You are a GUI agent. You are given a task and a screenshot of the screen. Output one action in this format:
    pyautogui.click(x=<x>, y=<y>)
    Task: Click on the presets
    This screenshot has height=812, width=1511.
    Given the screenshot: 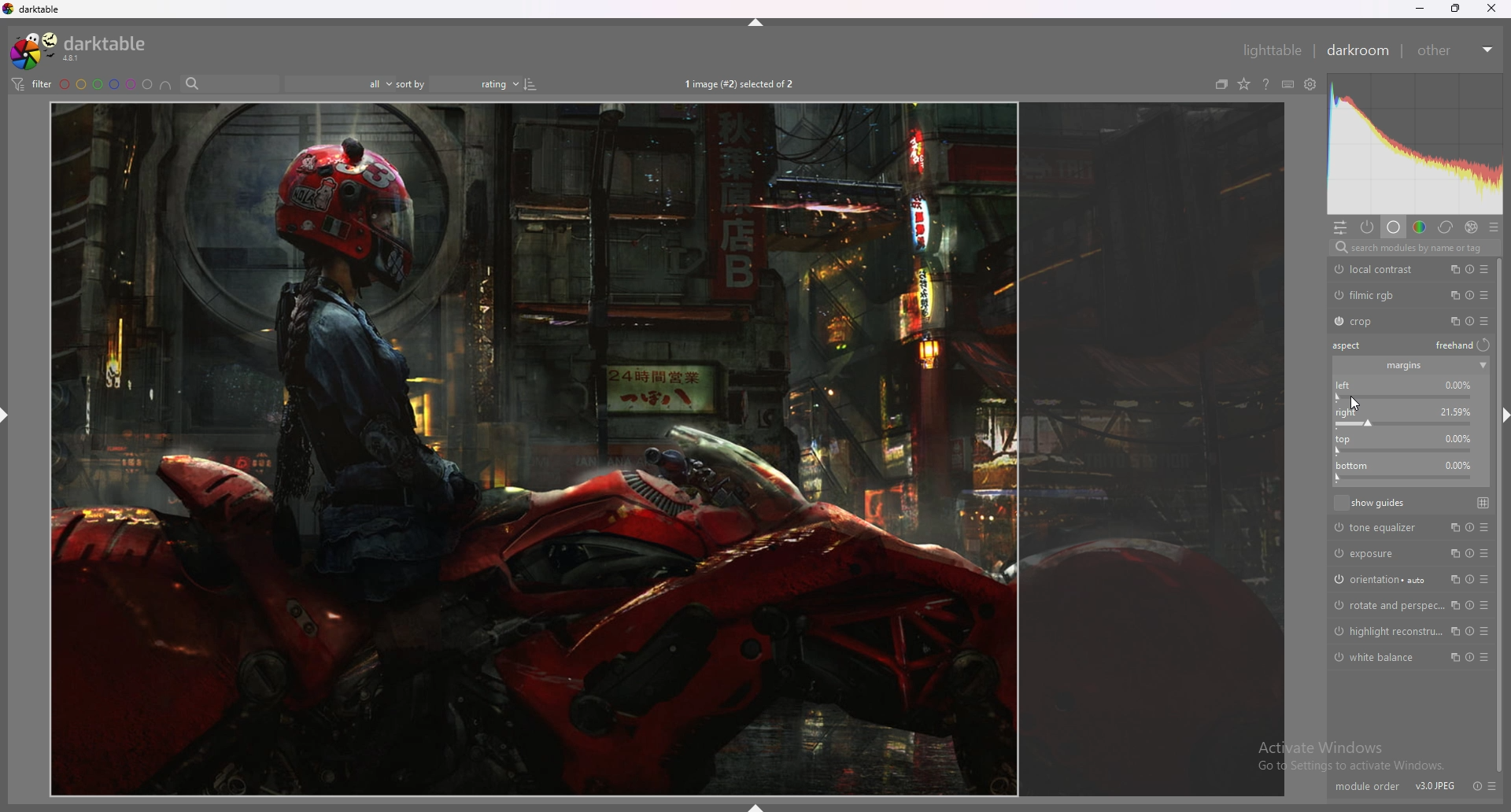 What is the action you would take?
    pyautogui.click(x=1487, y=658)
    